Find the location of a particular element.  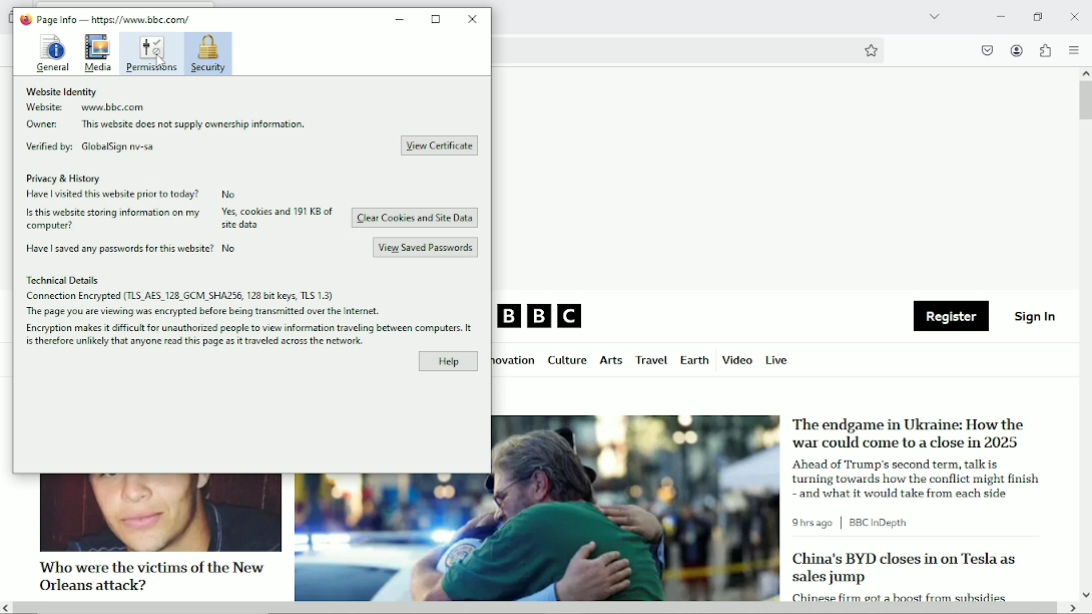

scroll left is located at coordinates (7, 608).